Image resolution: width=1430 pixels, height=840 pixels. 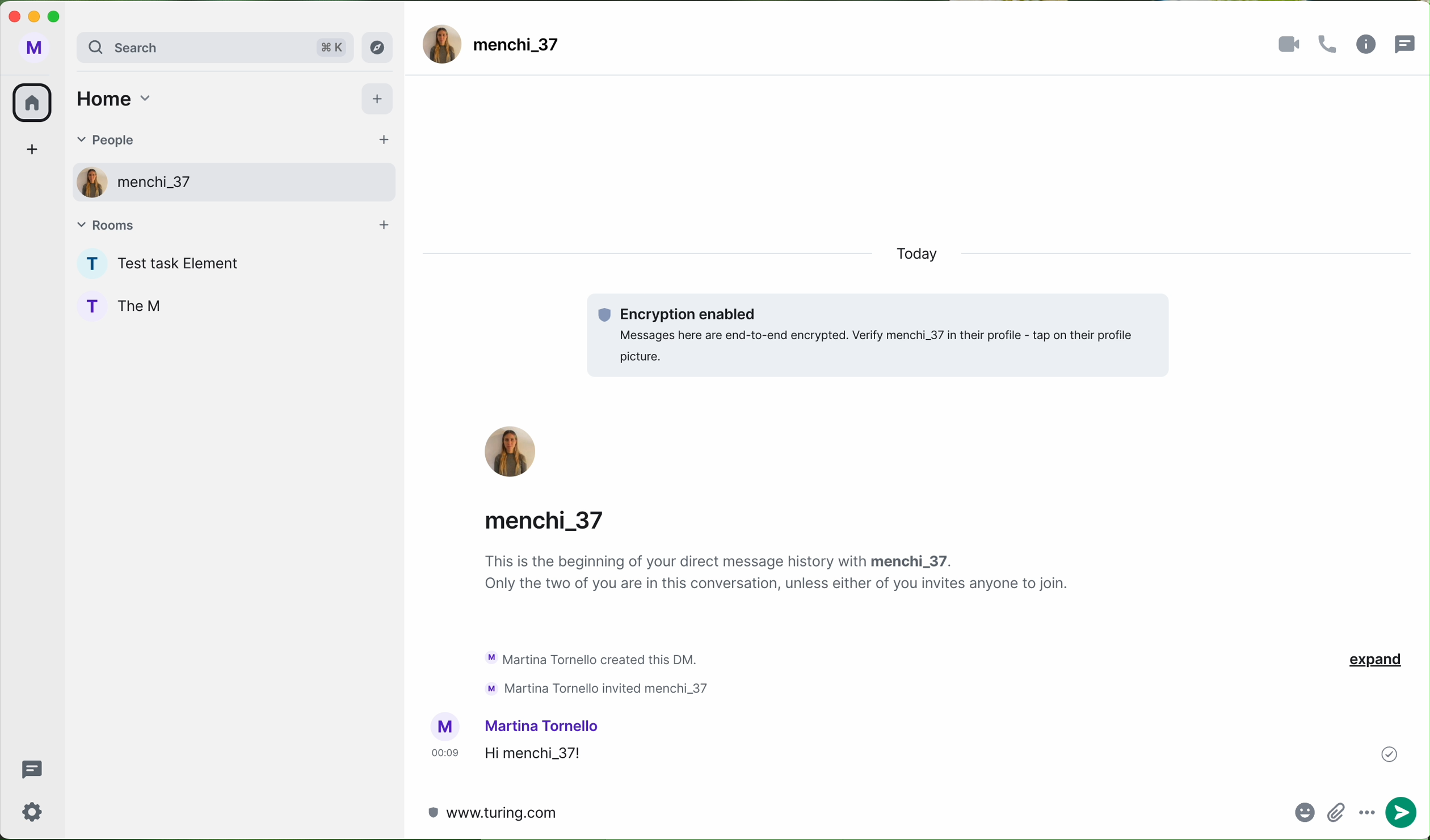 I want to click on people tab, so click(x=230, y=142).